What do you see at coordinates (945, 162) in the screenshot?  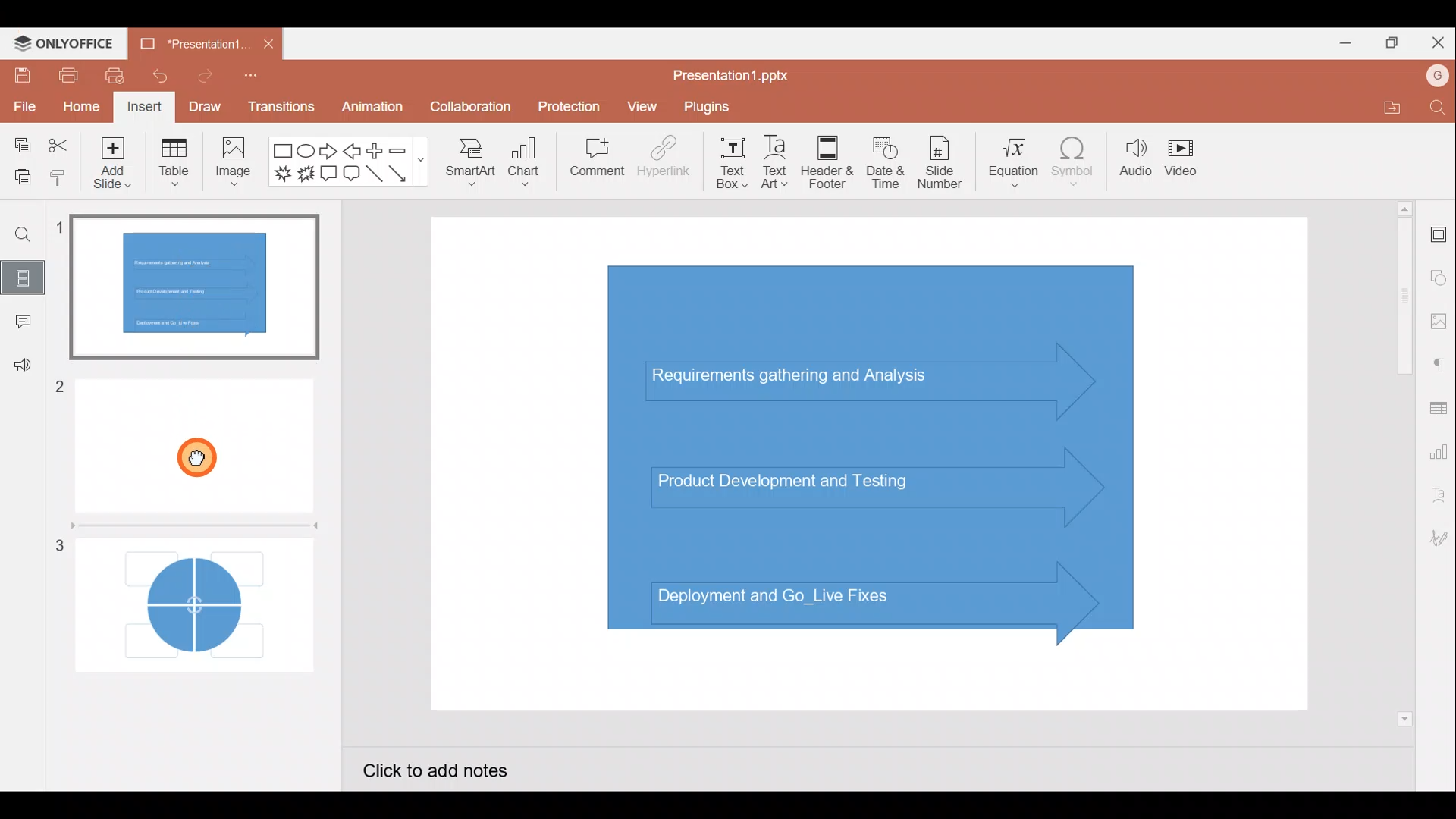 I see `Slide number` at bounding box center [945, 162].